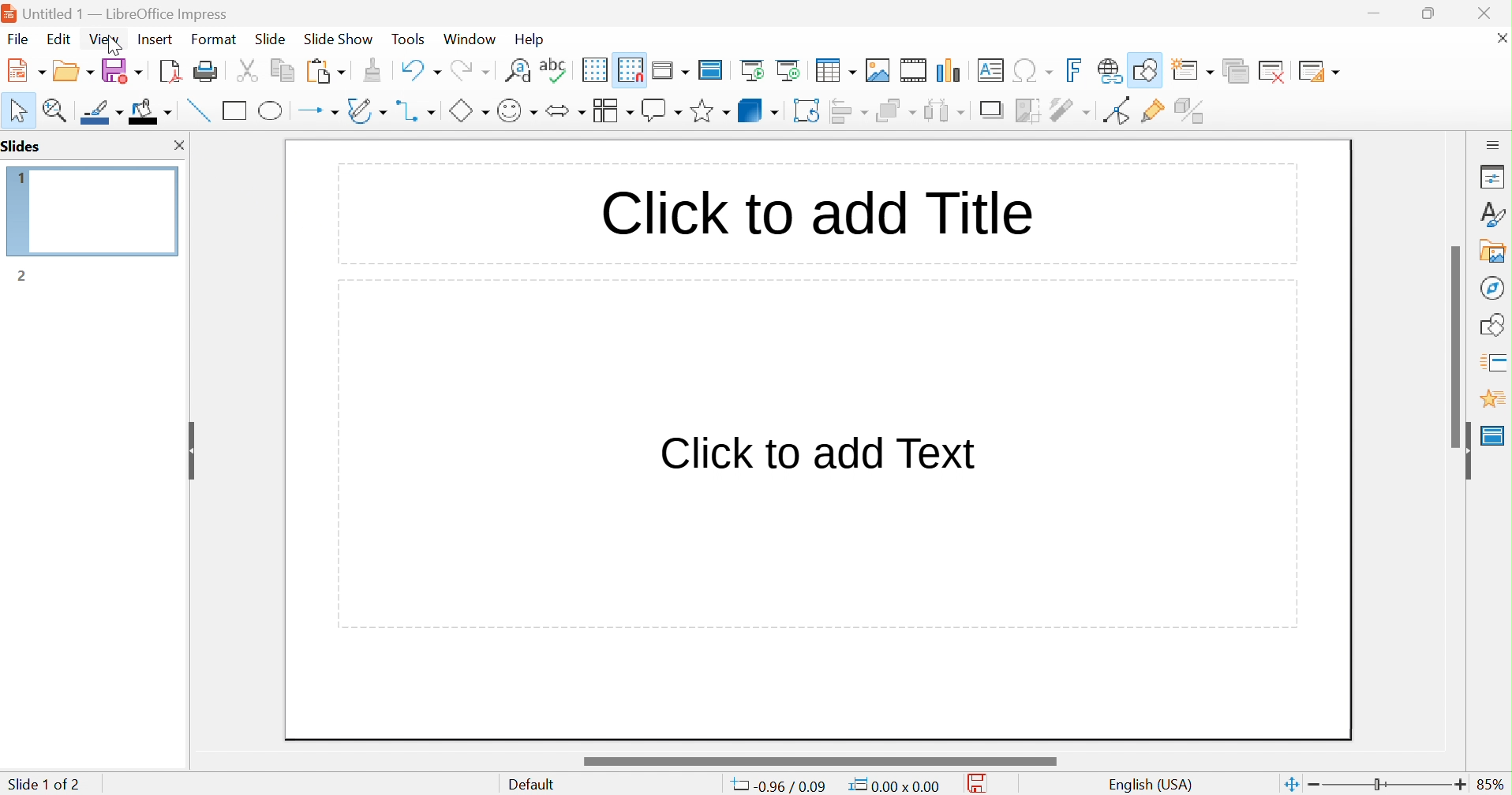 The image size is (1512, 795). Describe the element at coordinates (339, 37) in the screenshot. I see `slide show` at that location.